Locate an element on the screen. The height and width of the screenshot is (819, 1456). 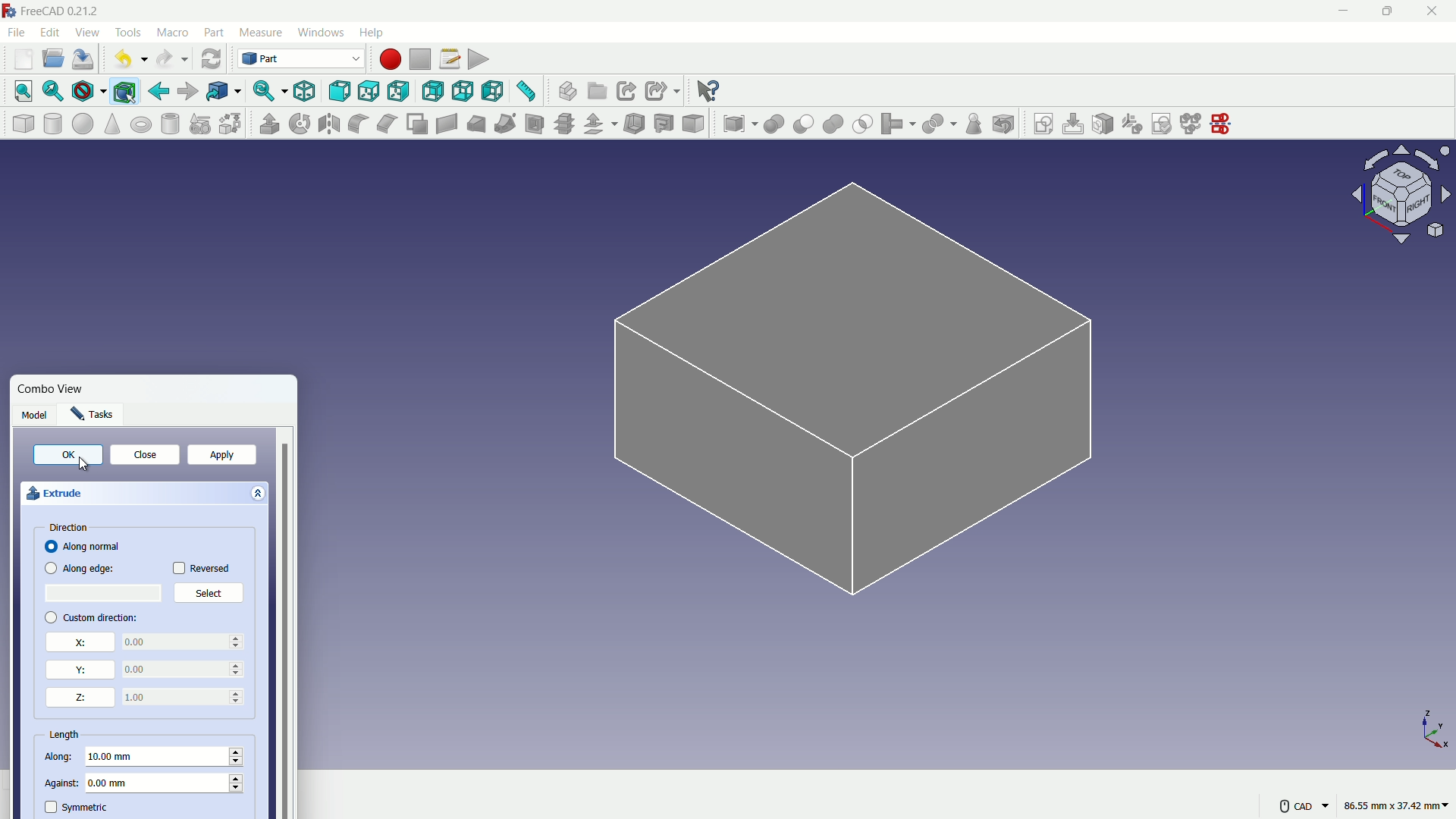
go to linked objects is located at coordinates (224, 90).